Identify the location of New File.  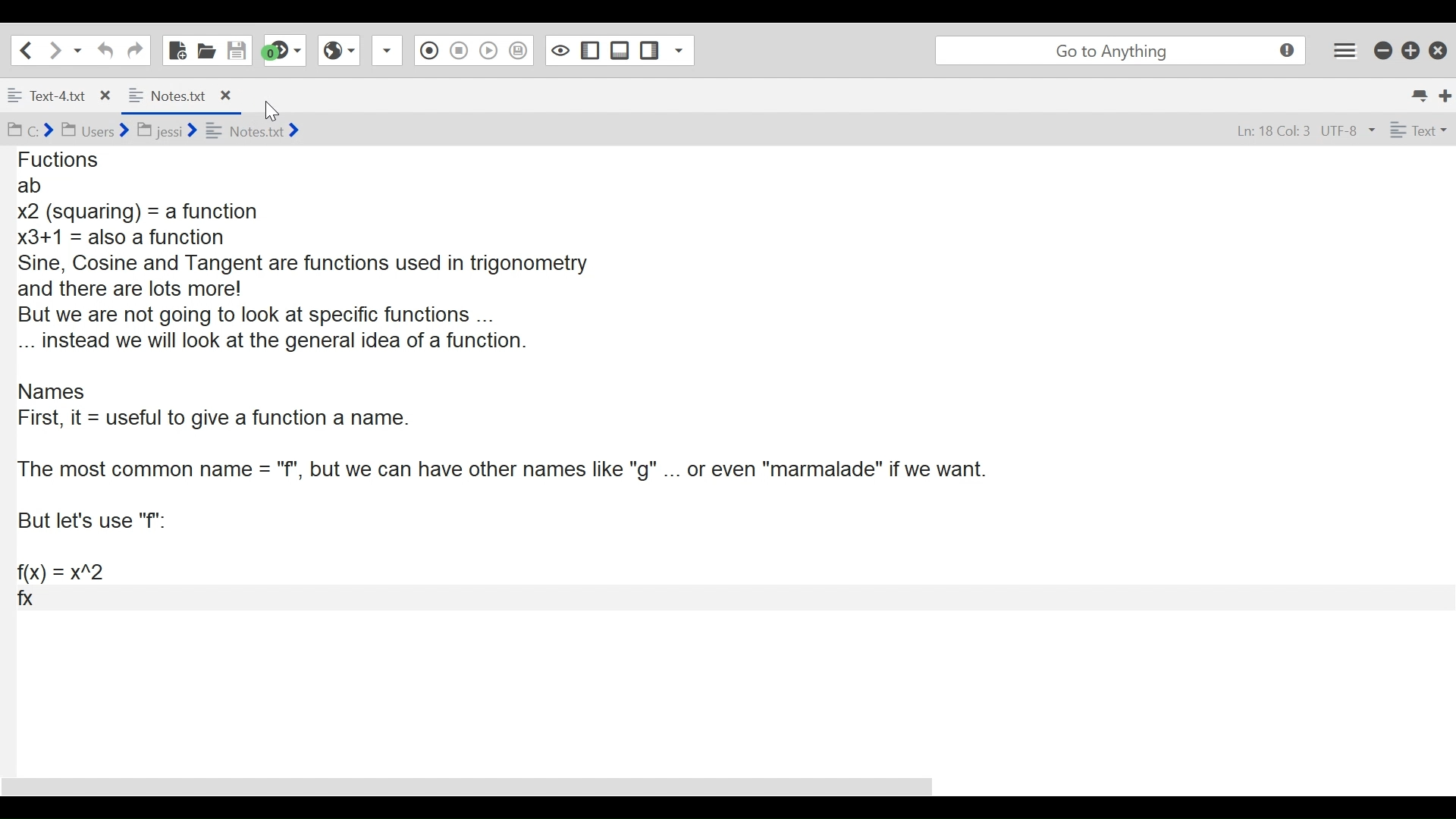
(175, 49).